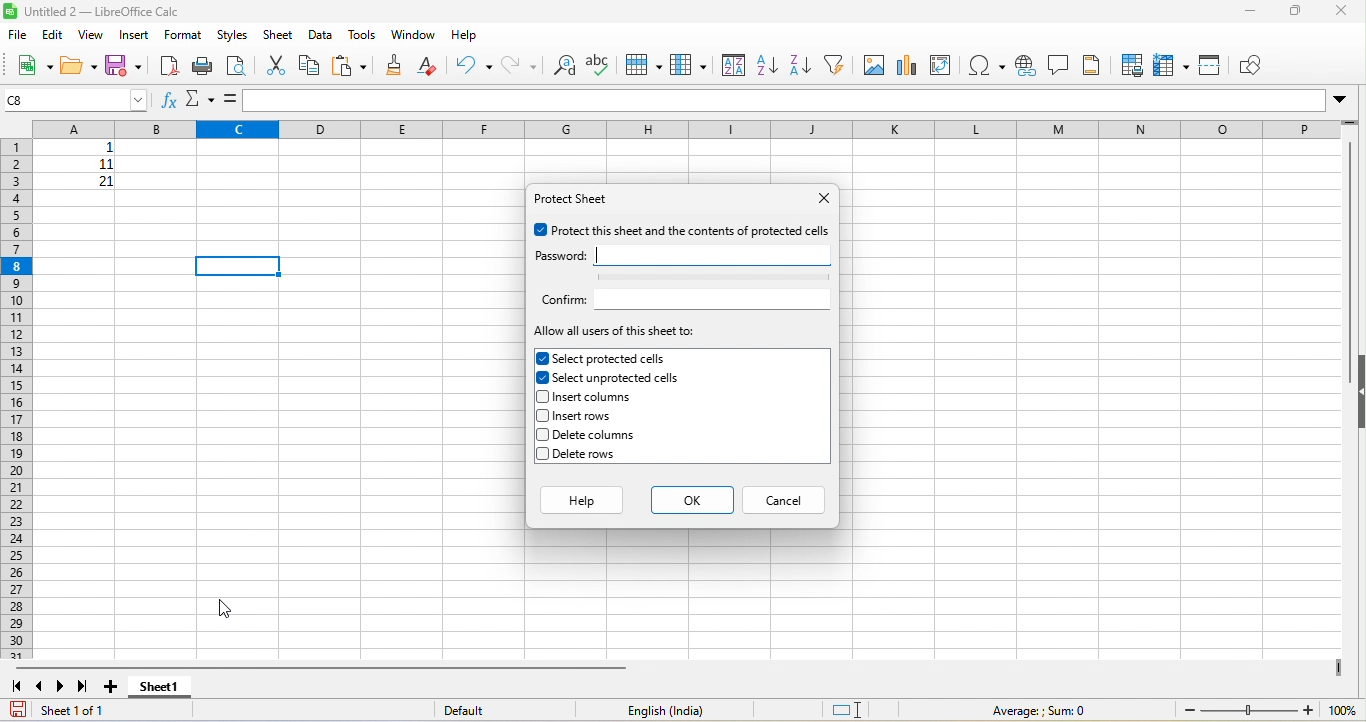 The width and height of the screenshot is (1366, 722). Describe the element at coordinates (168, 65) in the screenshot. I see `export pdf` at that location.